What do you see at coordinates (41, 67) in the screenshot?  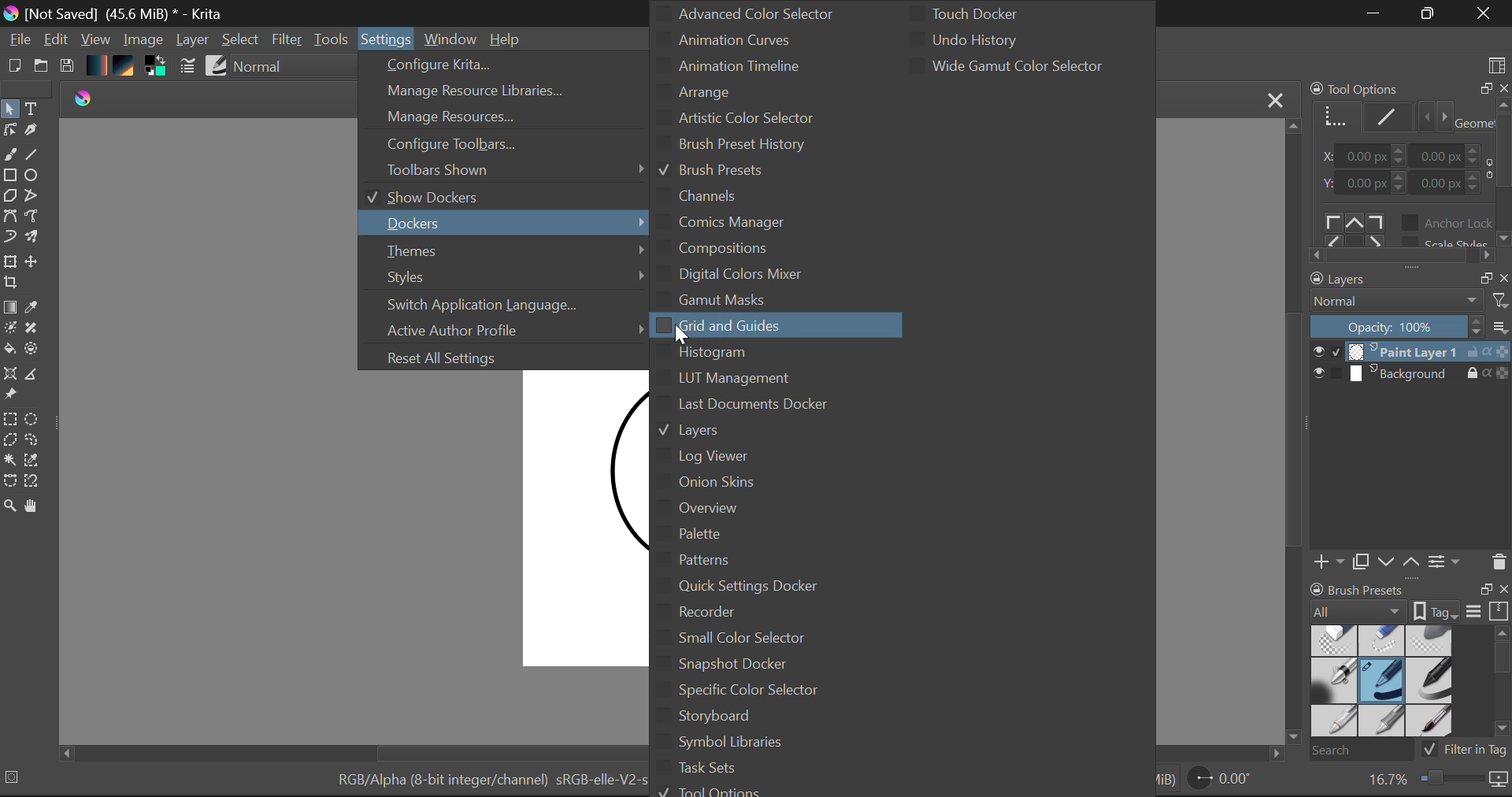 I see `Open` at bounding box center [41, 67].